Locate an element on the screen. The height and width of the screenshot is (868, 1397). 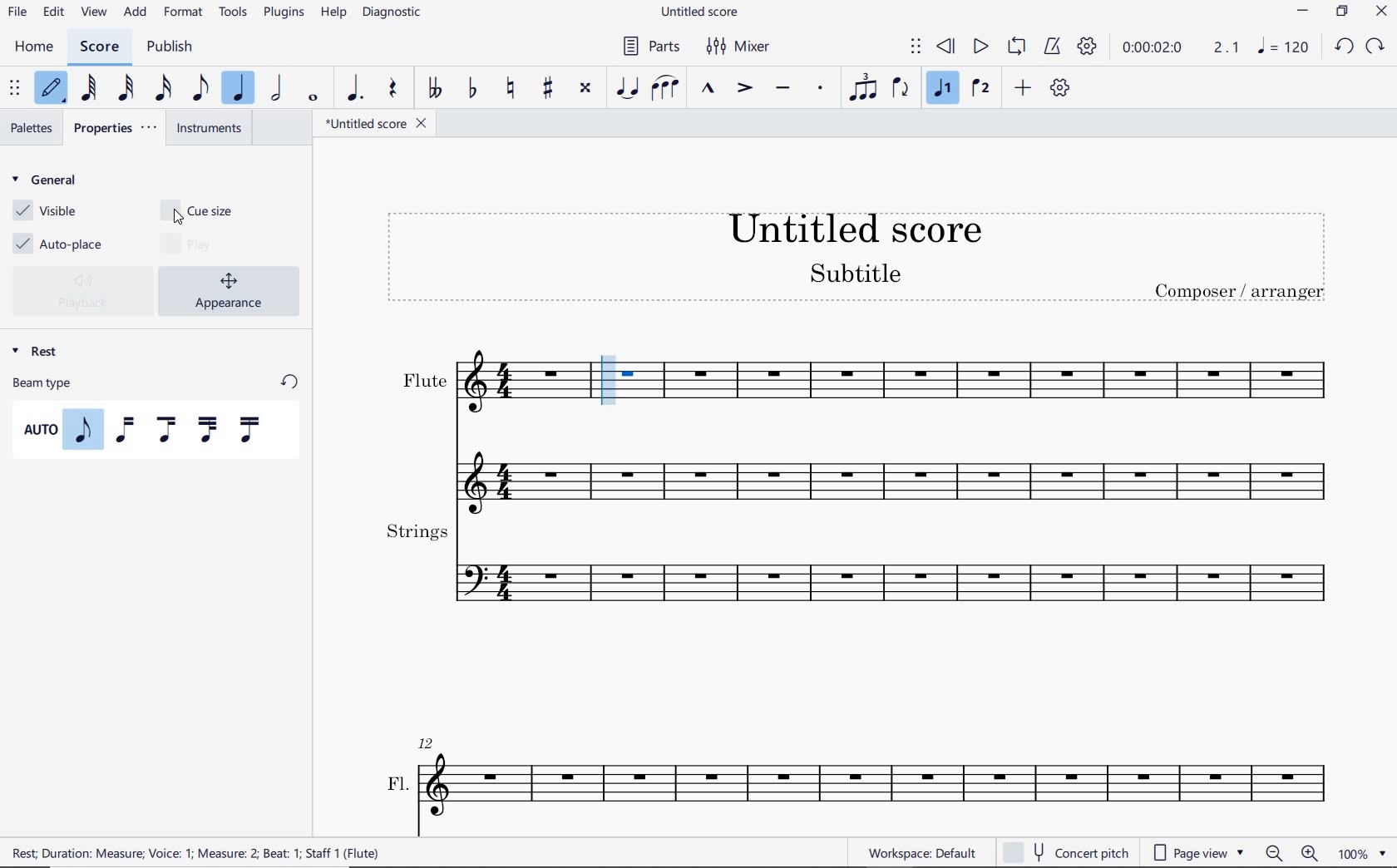
flute is located at coordinates (481, 384).